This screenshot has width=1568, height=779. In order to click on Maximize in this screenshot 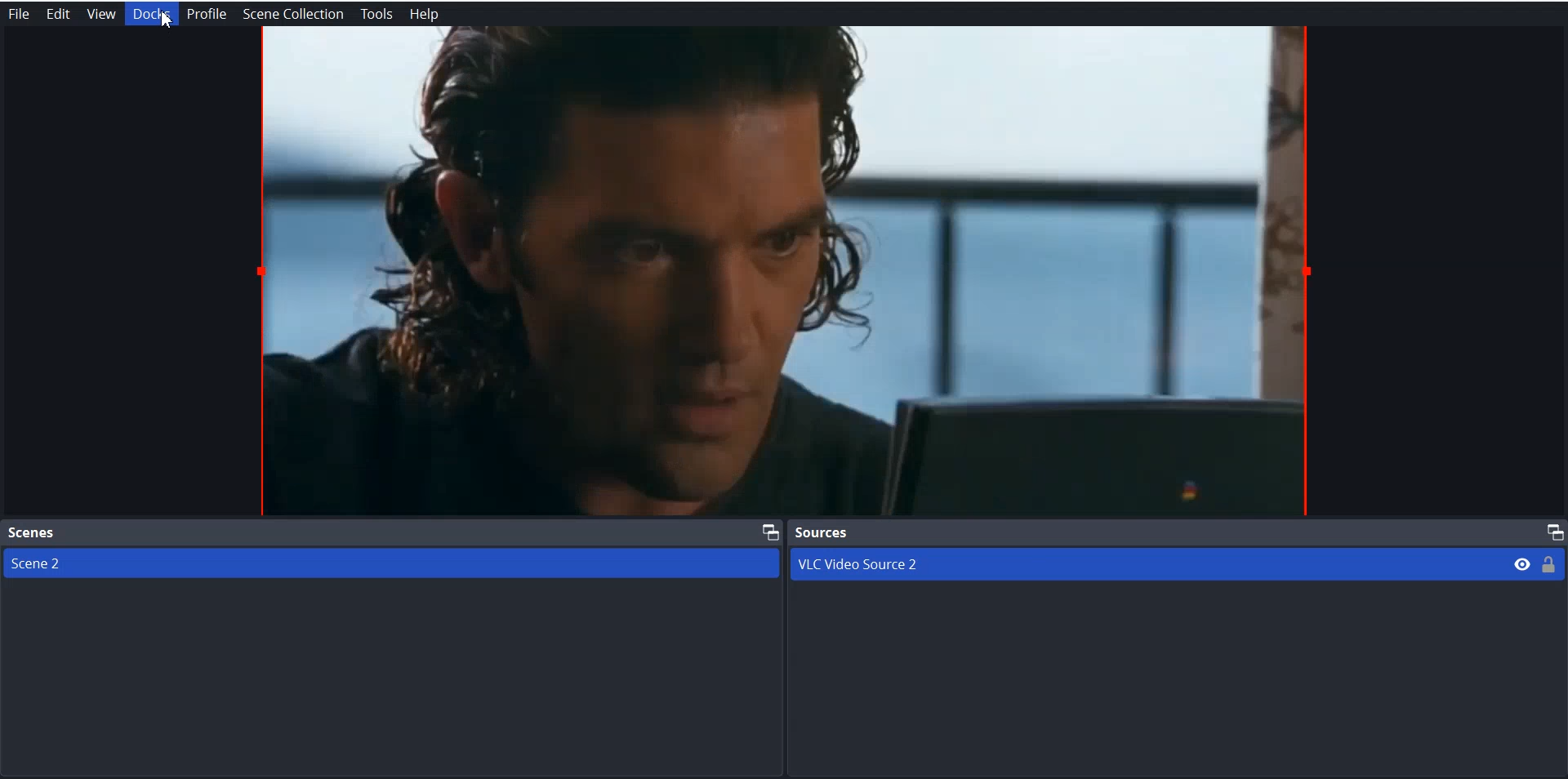, I will do `click(1552, 532)`.